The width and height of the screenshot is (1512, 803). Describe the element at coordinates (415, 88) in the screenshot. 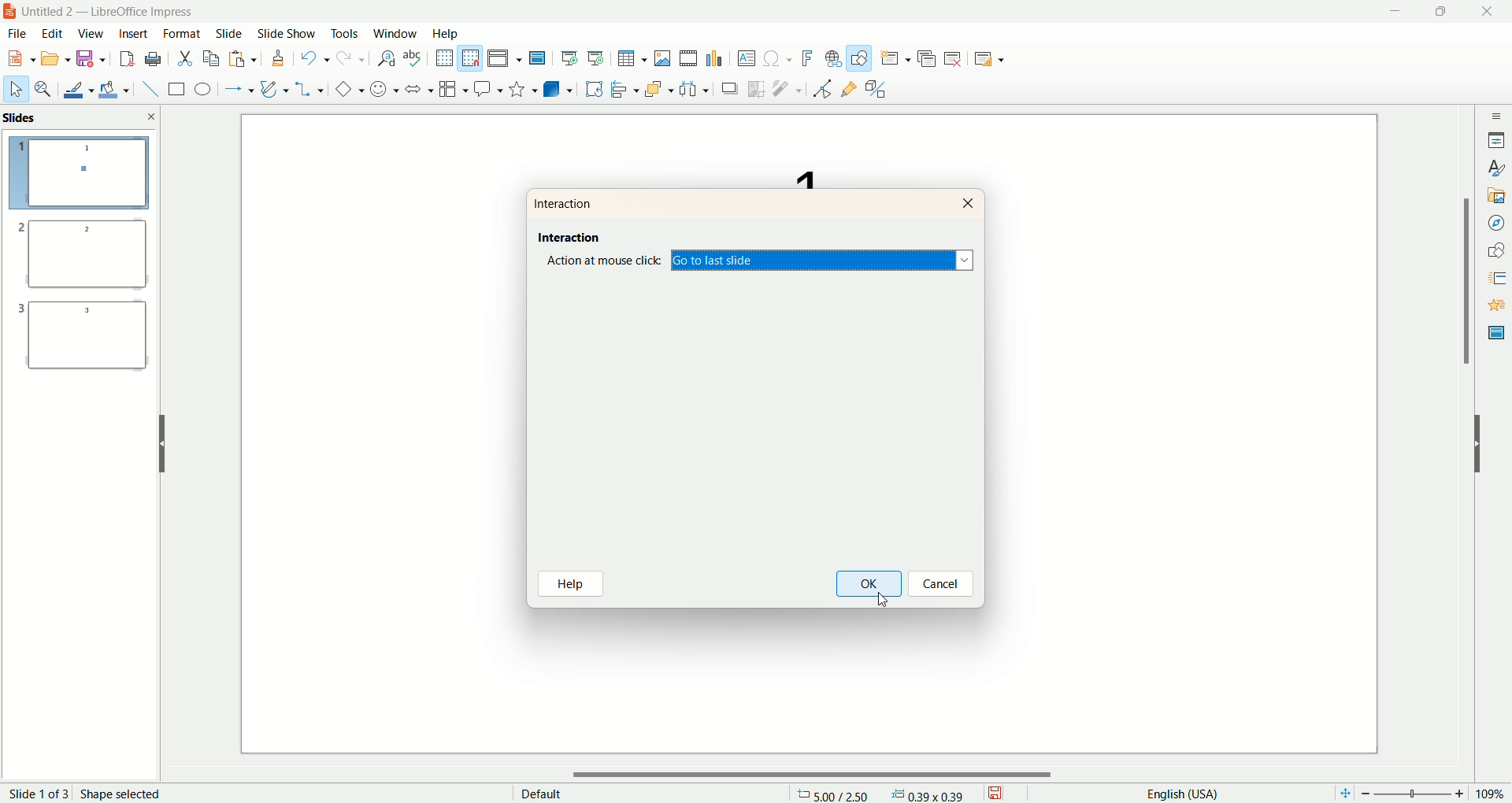

I see `block arrow` at that location.